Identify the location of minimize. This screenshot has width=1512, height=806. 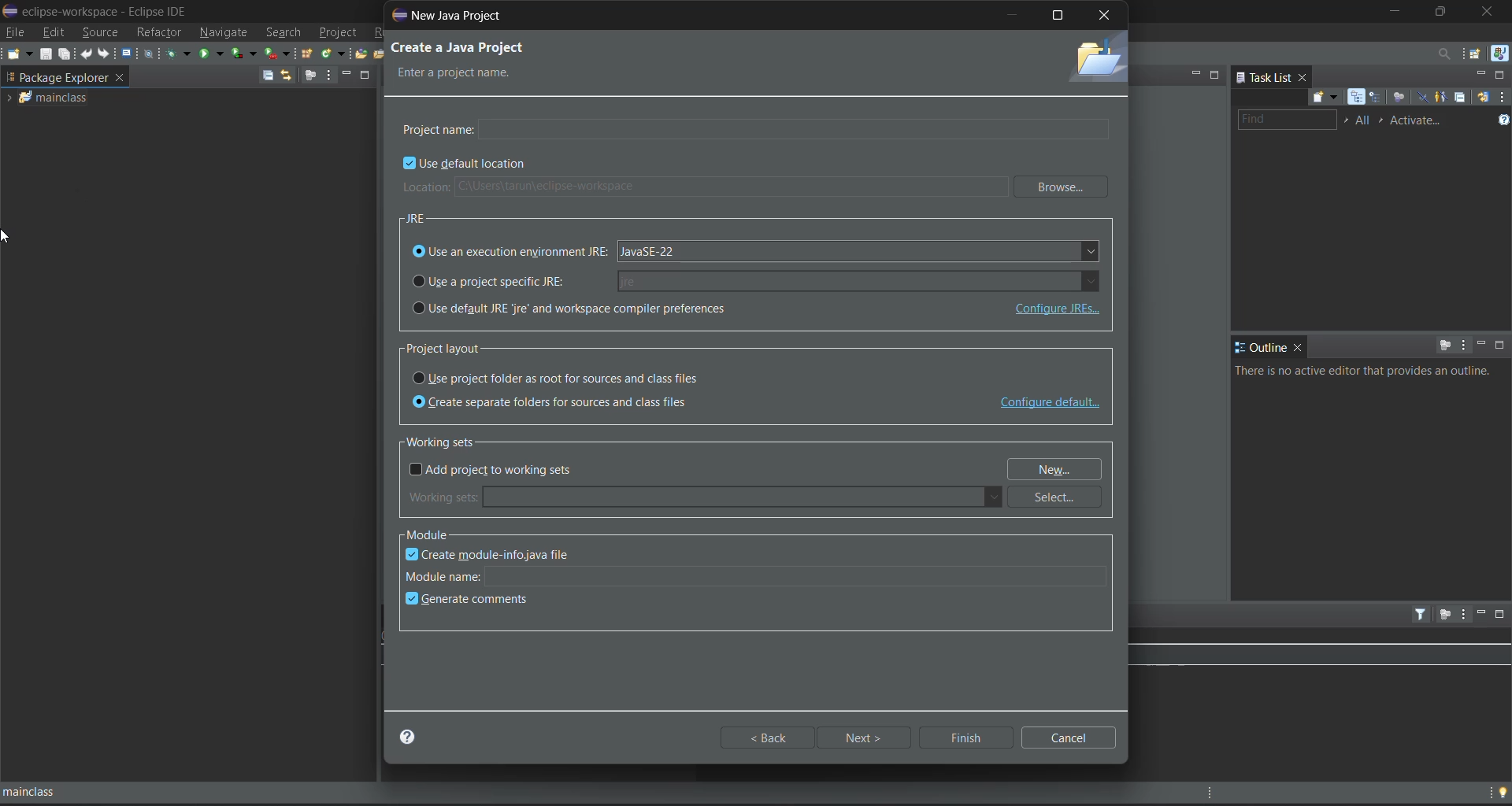
(1014, 14).